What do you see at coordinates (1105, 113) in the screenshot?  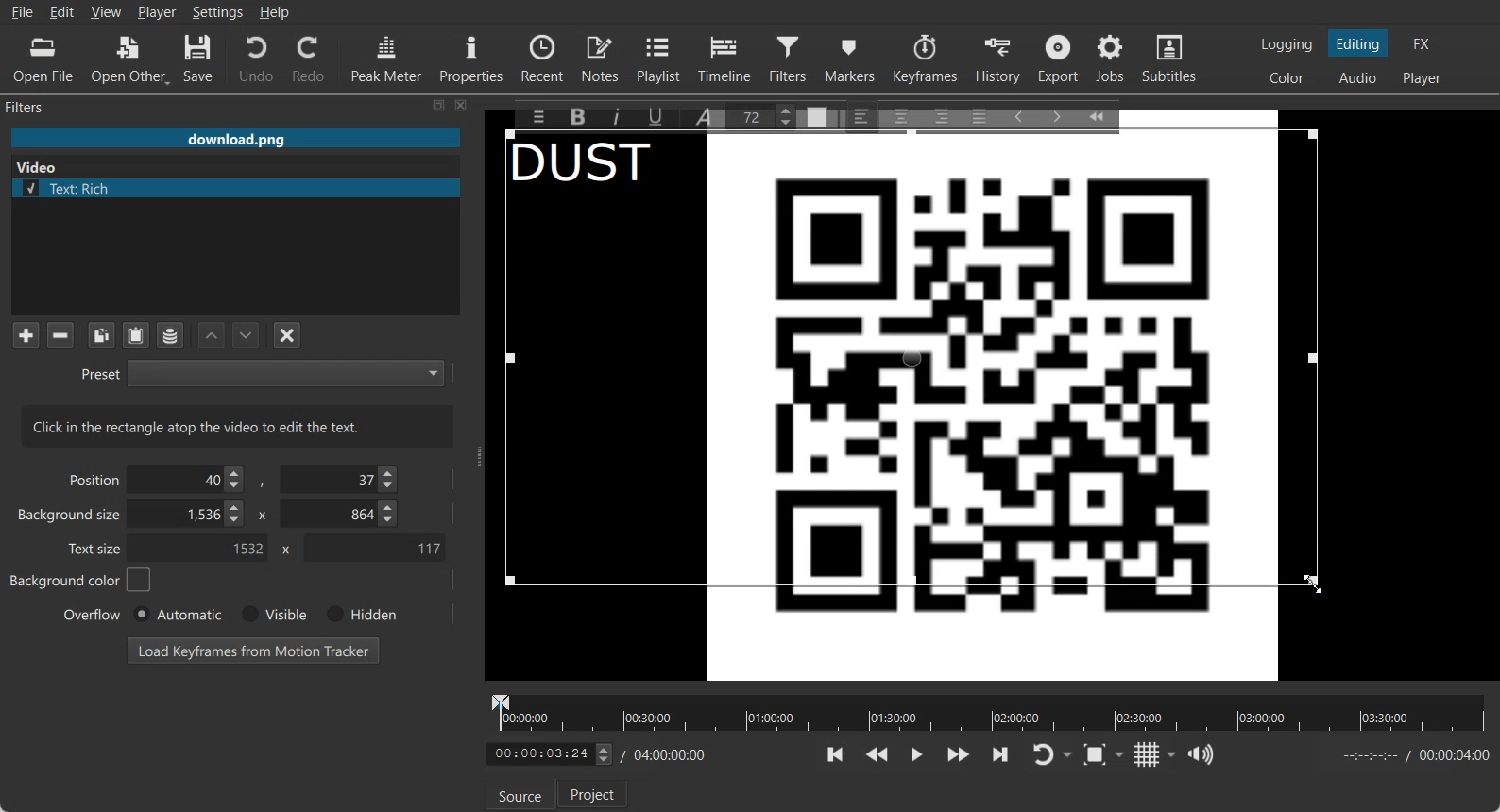 I see `Collapse Toolbar` at bounding box center [1105, 113].